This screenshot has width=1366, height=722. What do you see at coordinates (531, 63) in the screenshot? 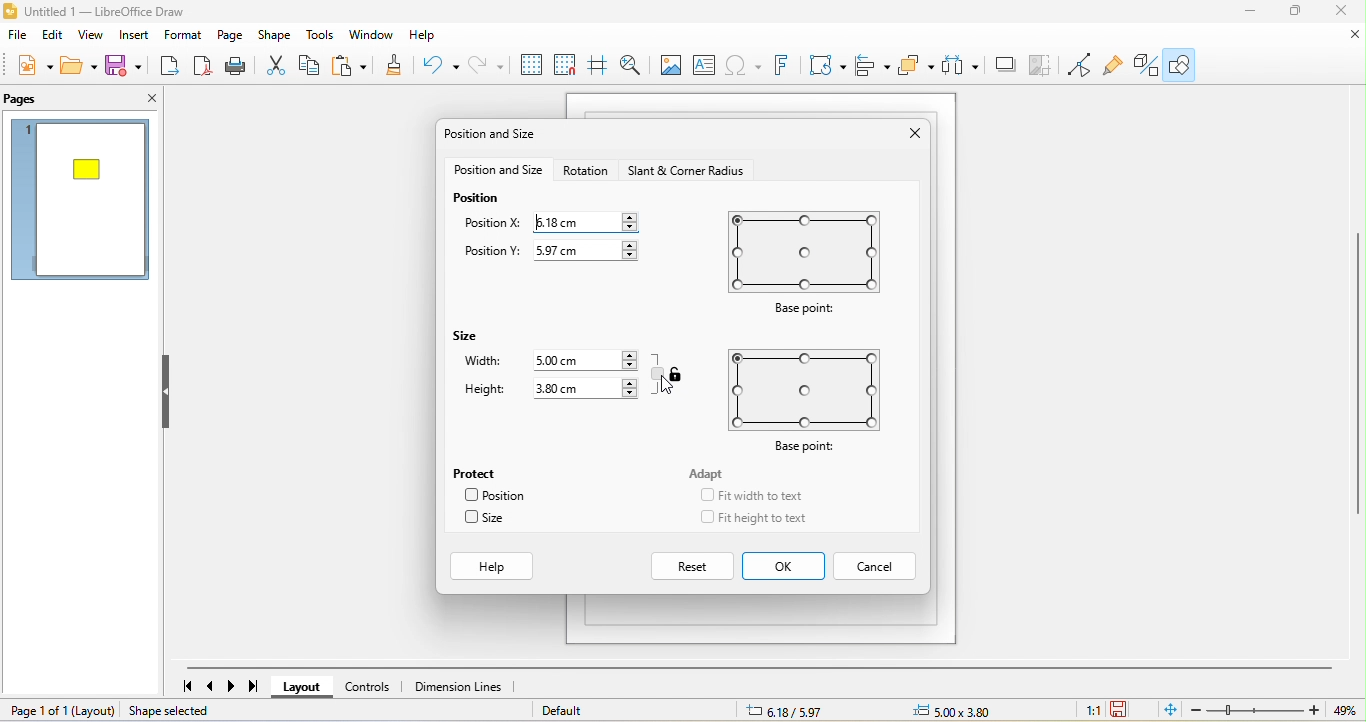
I see `display grid` at bounding box center [531, 63].